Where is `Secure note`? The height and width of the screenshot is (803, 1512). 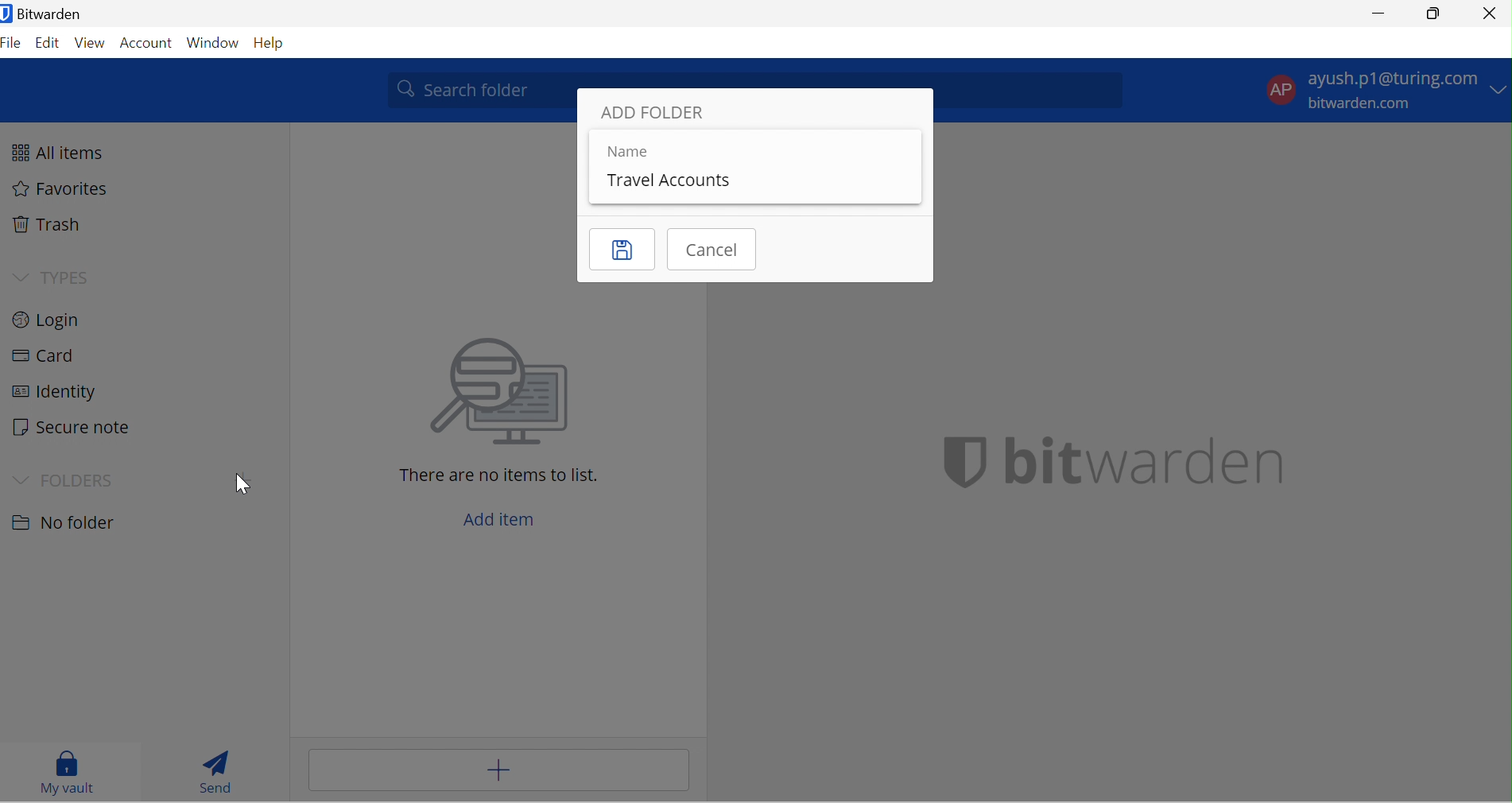
Secure note is located at coordinates (77, 428).